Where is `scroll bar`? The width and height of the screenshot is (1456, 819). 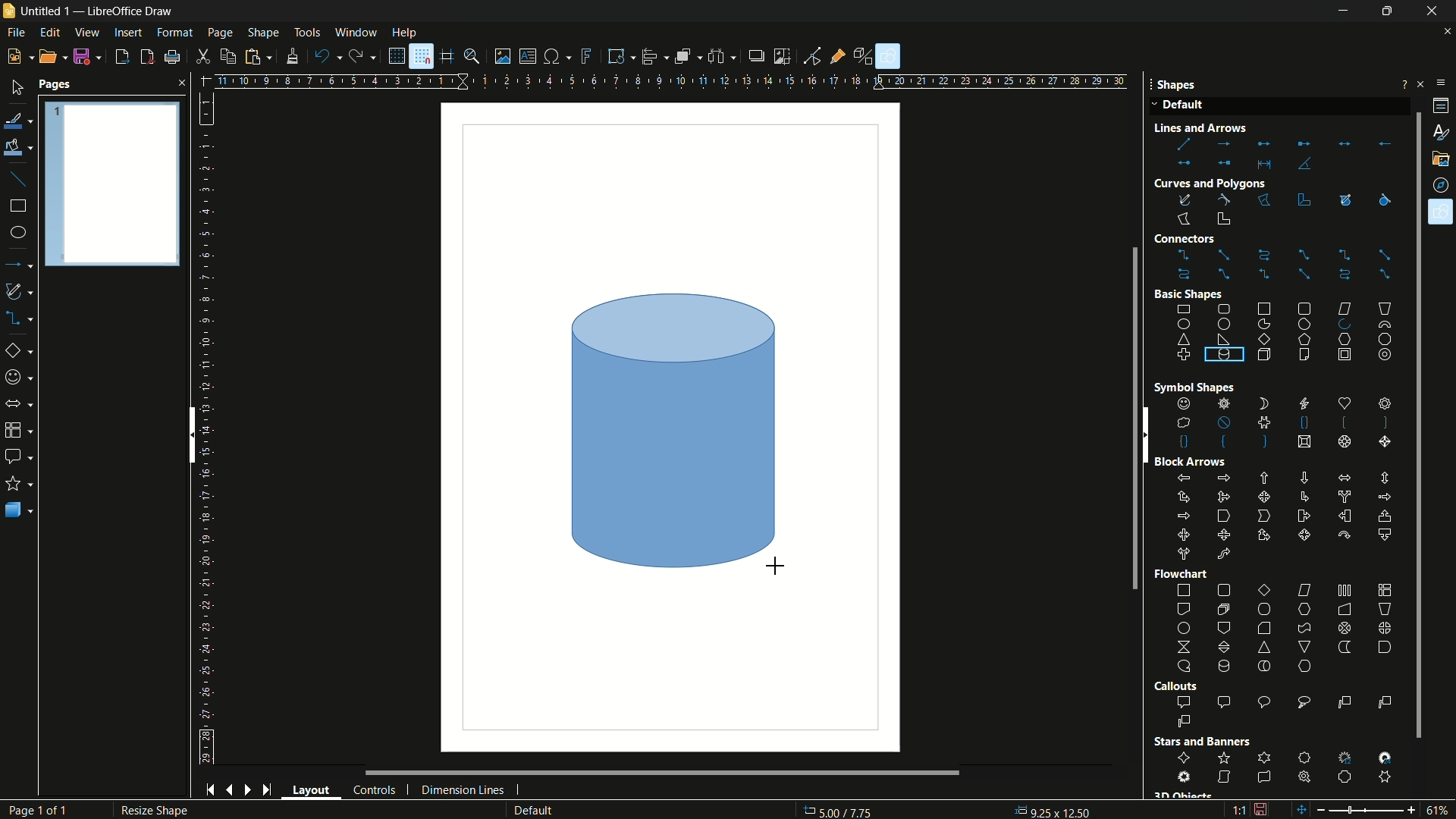 scroll bar is located at coordinates (1411, 423).